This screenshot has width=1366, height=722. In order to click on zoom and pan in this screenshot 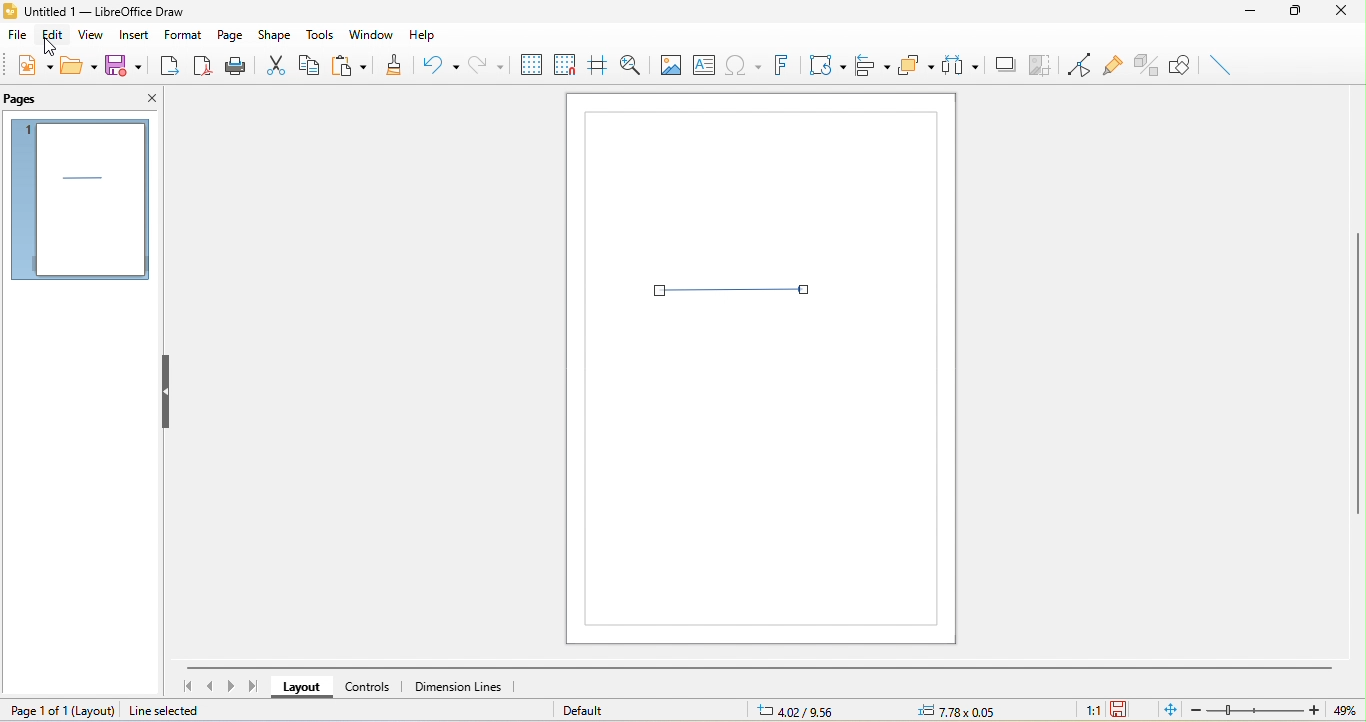, I will do `click(628, 63)`.